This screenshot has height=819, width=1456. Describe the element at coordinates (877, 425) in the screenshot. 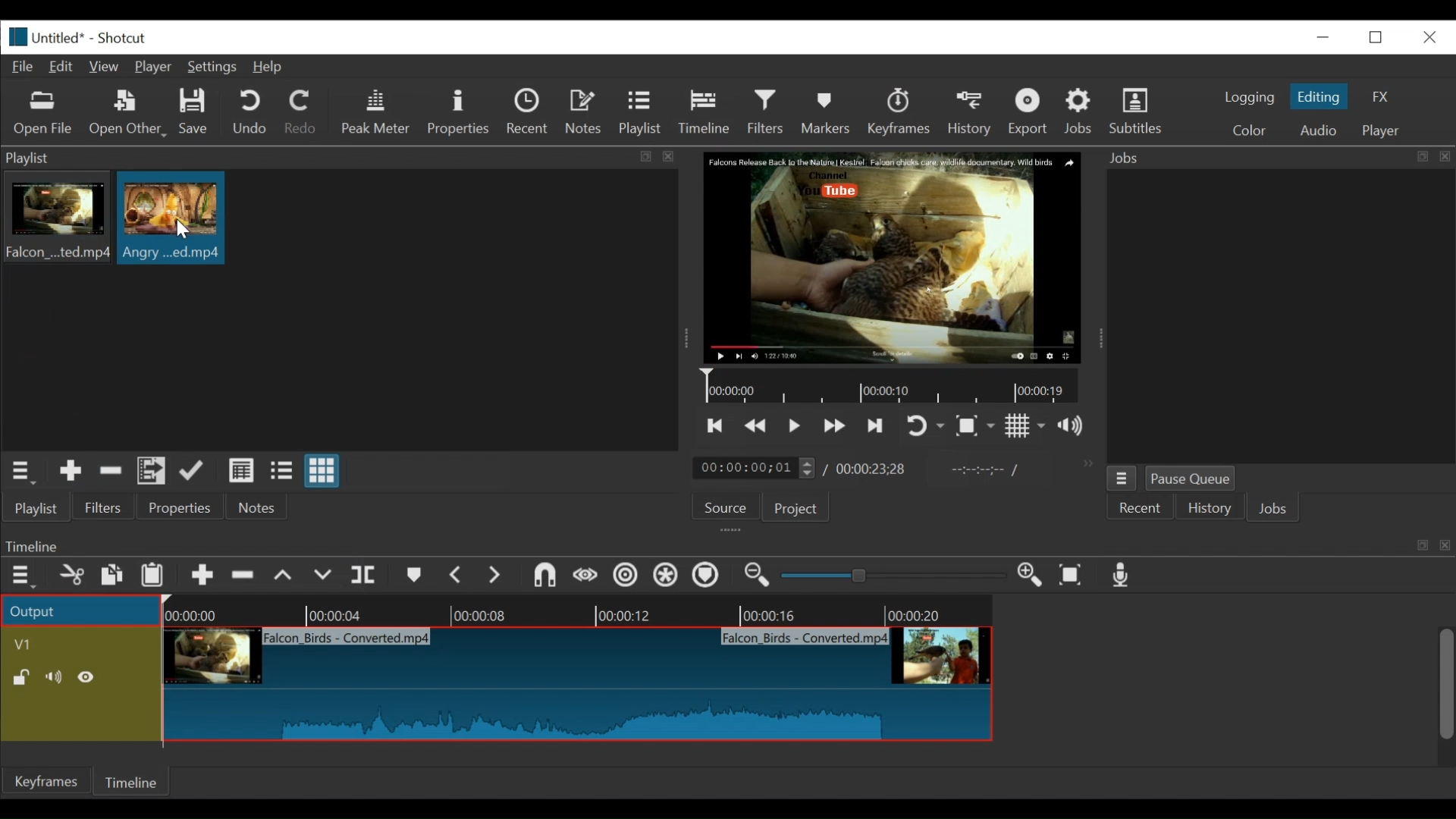

I see `skip to the next point` at that location.